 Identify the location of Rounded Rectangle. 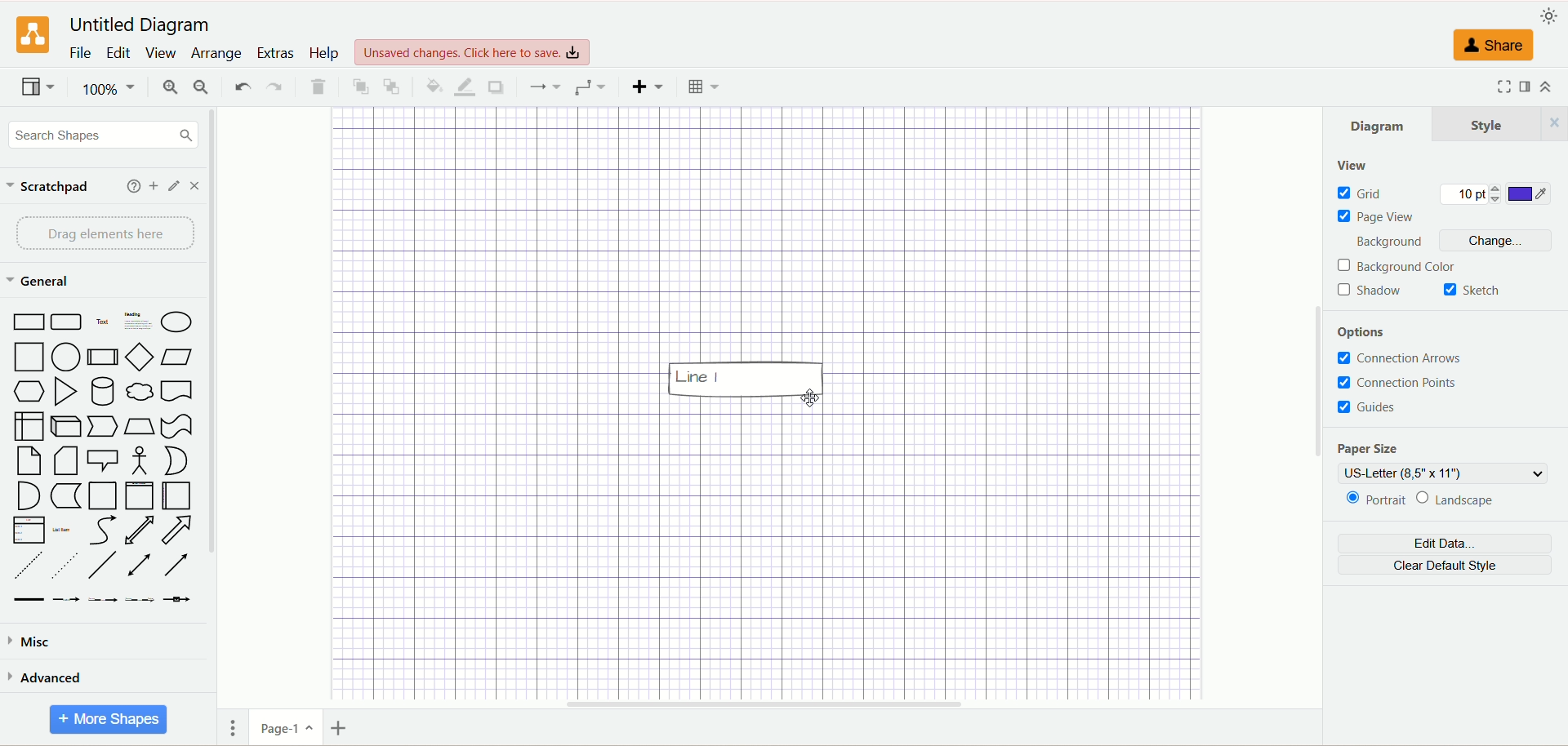
(69, 322).